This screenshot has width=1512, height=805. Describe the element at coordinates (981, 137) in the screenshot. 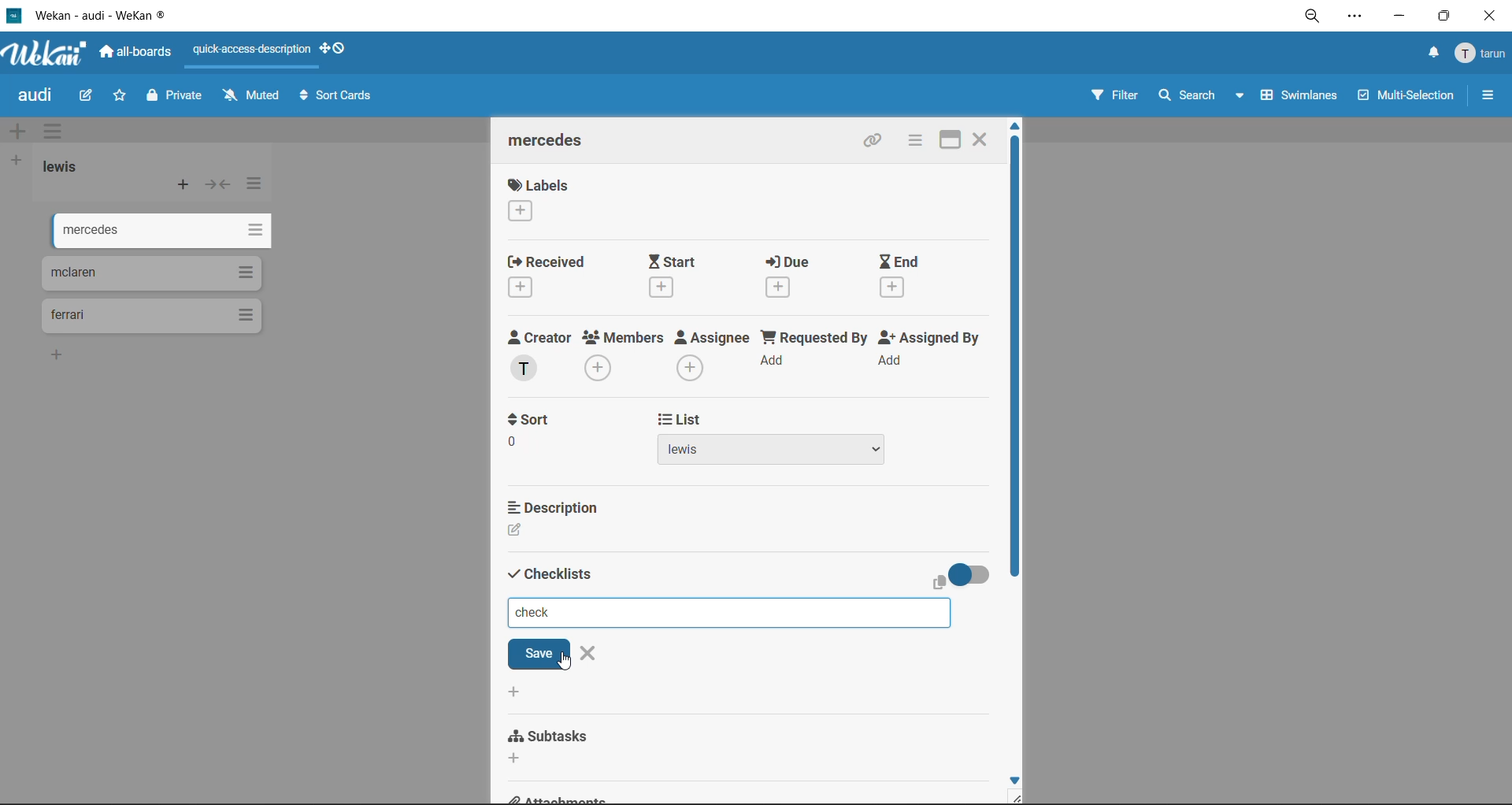

I see `close` at that location.